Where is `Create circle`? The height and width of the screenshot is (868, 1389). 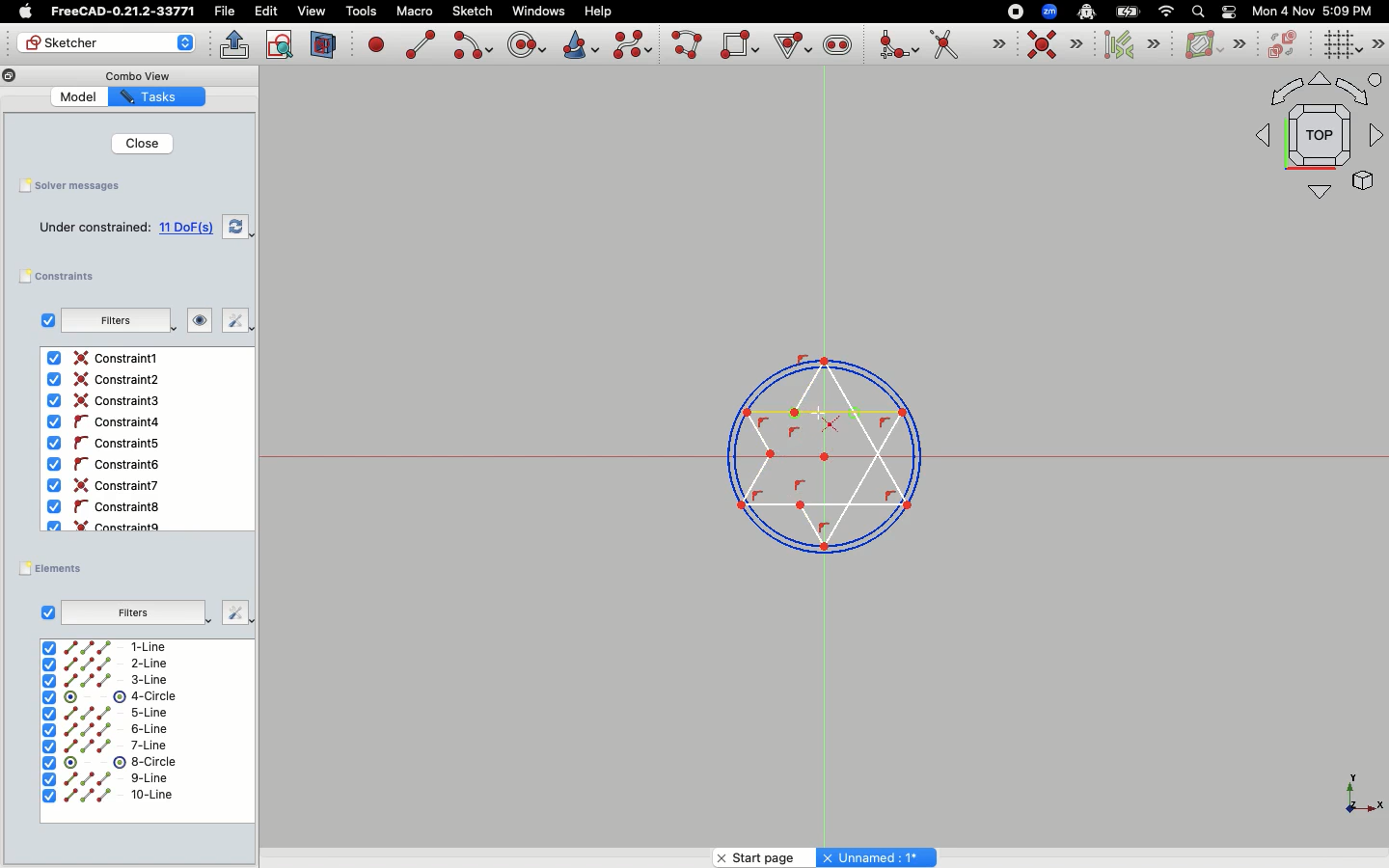 Create circle is located at coordinates (527, 42).